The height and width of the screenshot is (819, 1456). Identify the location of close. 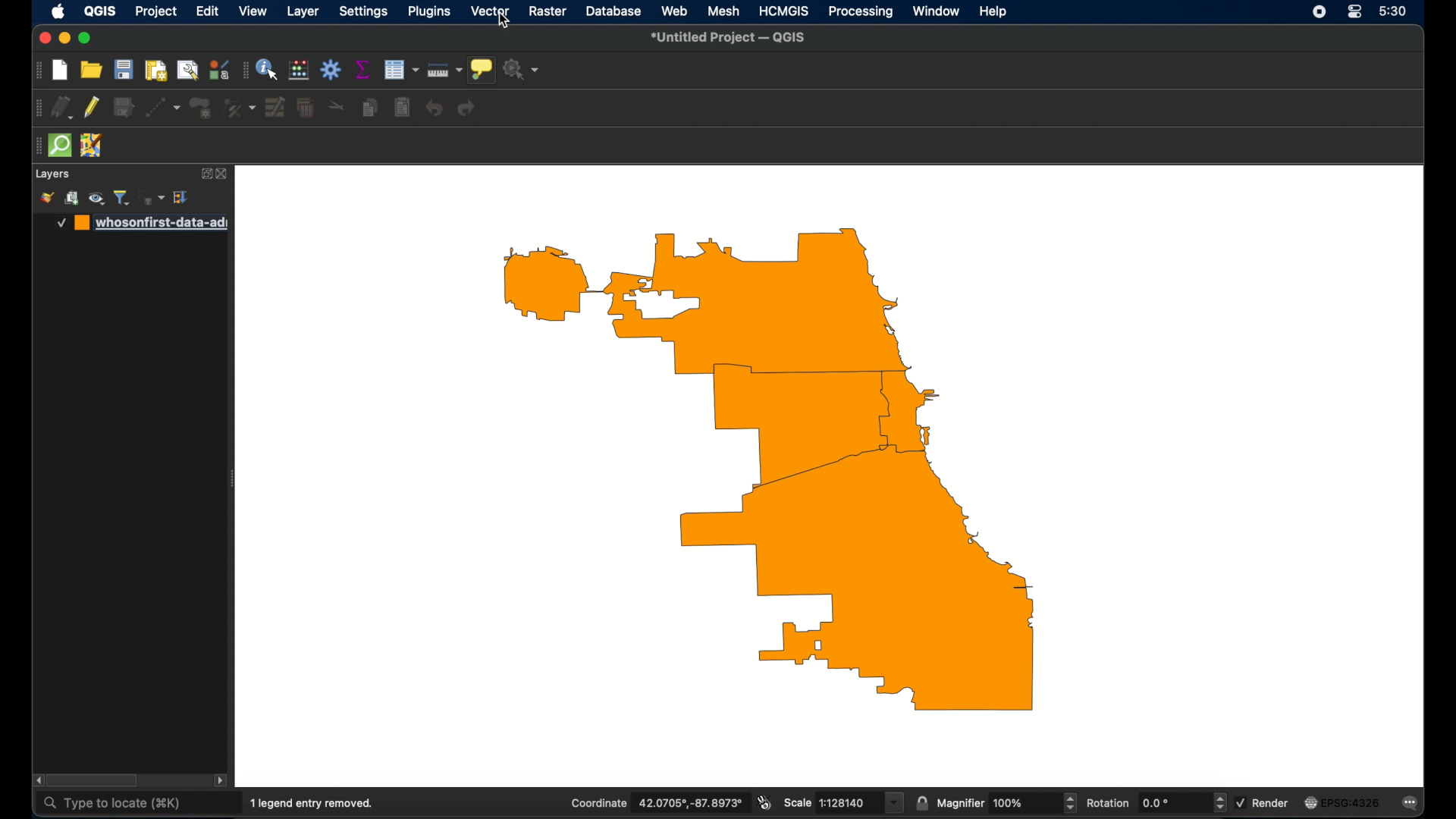
(43, 39).